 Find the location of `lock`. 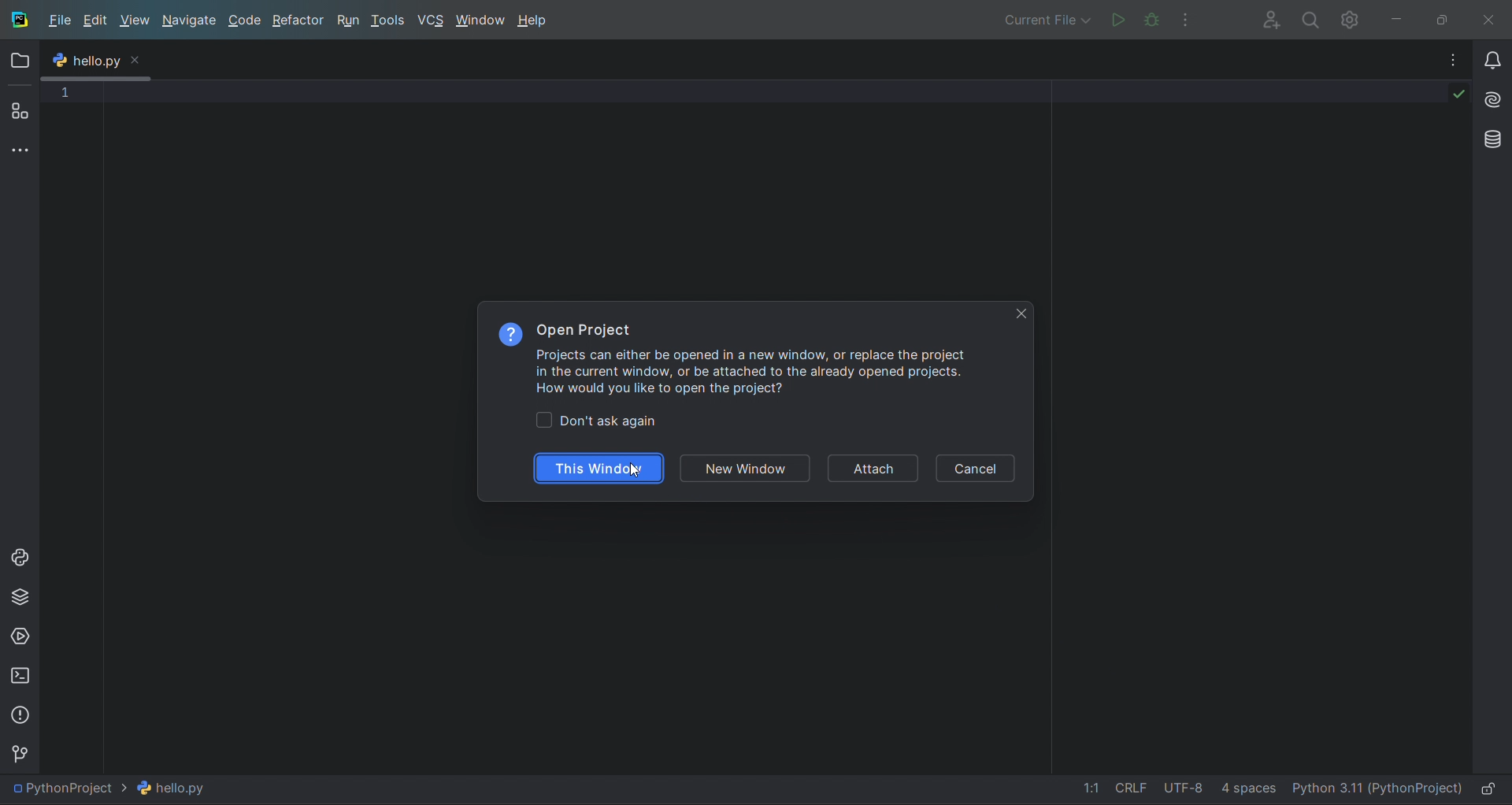

lock is located at coordinates (1492, 789).